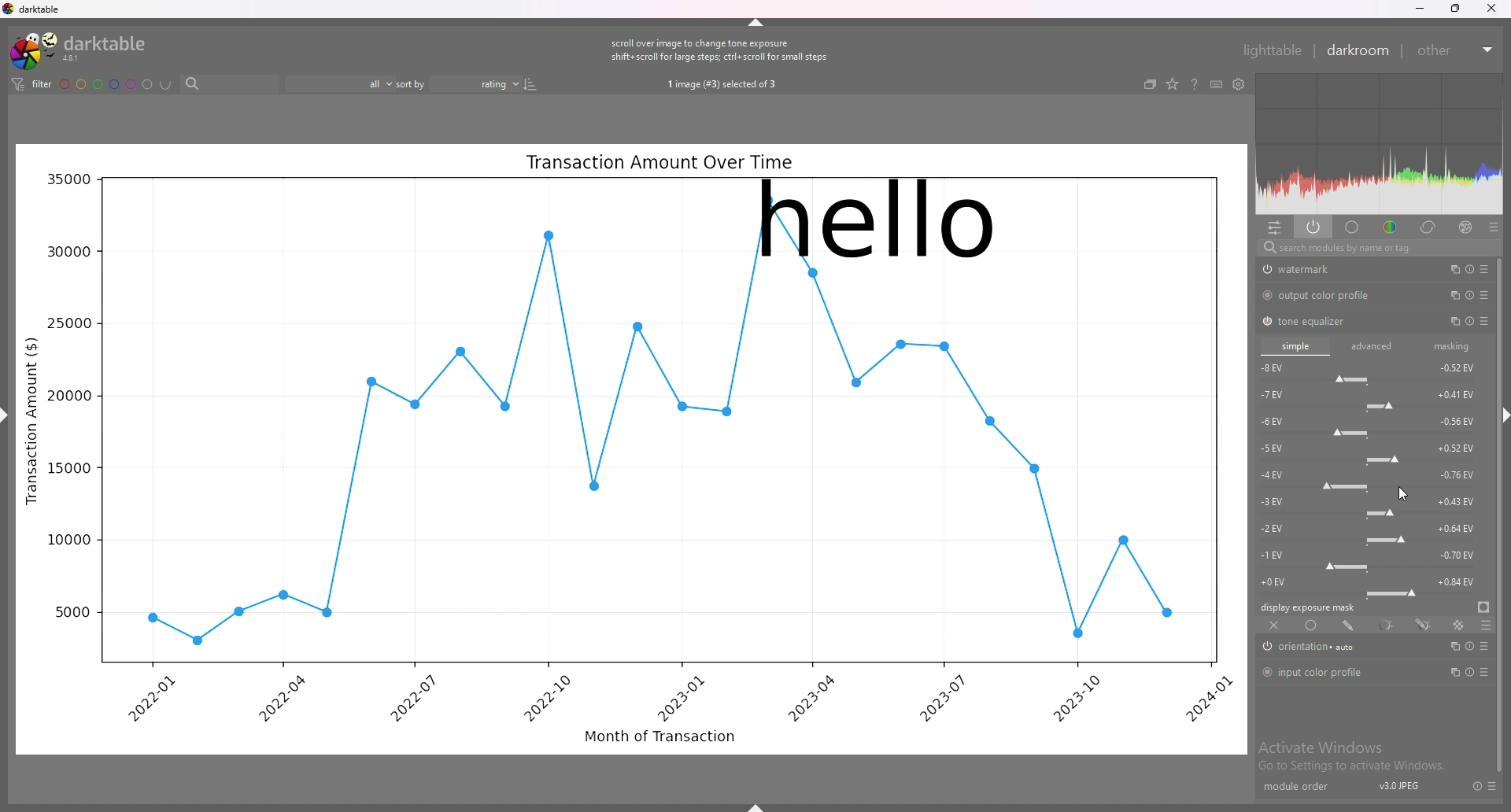  I want to click on drawn mask, so click(1350, 626).